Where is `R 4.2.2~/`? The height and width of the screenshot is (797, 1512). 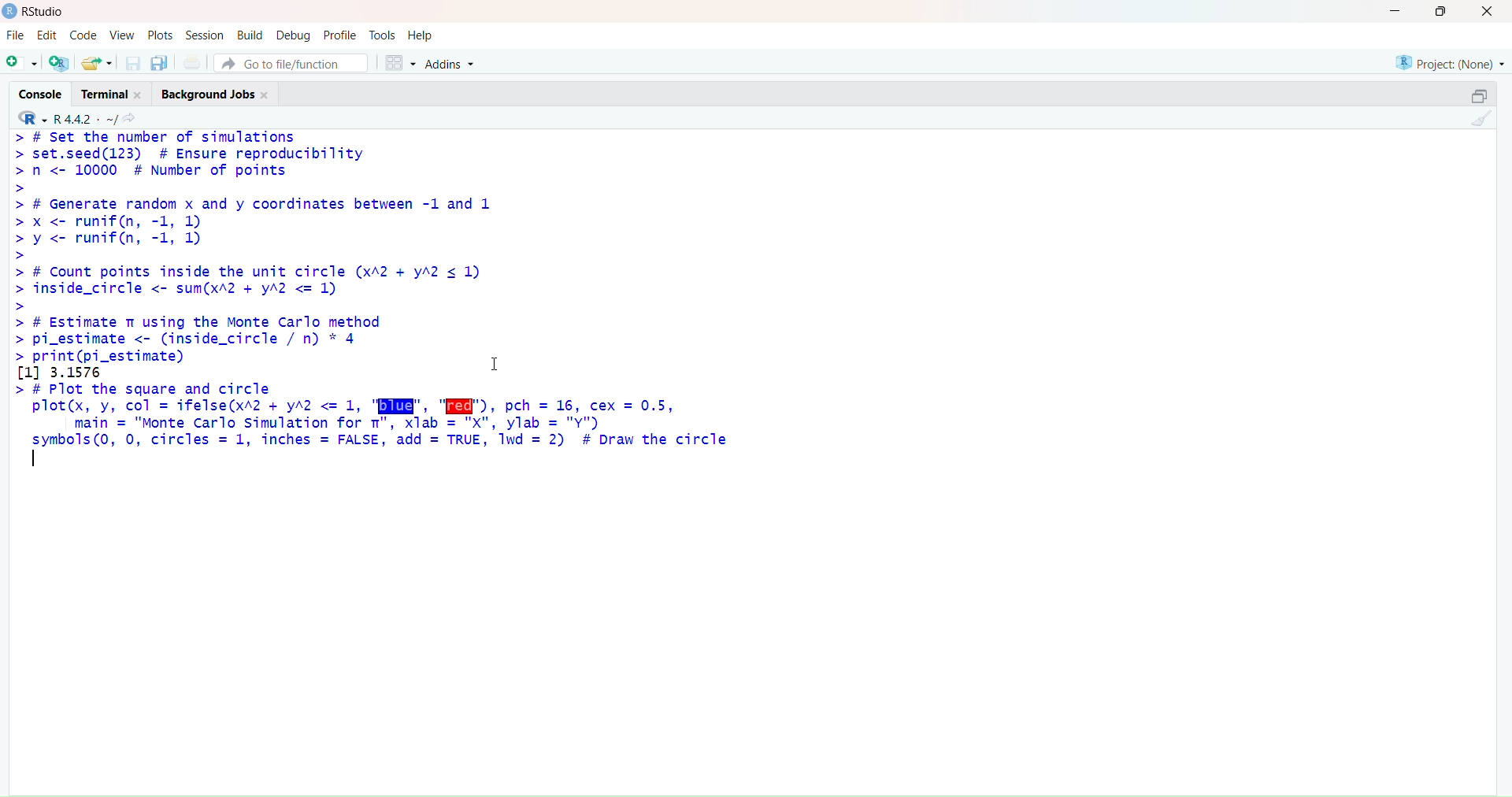 R 4.2.2~/ is located at coordinates (87, 117).